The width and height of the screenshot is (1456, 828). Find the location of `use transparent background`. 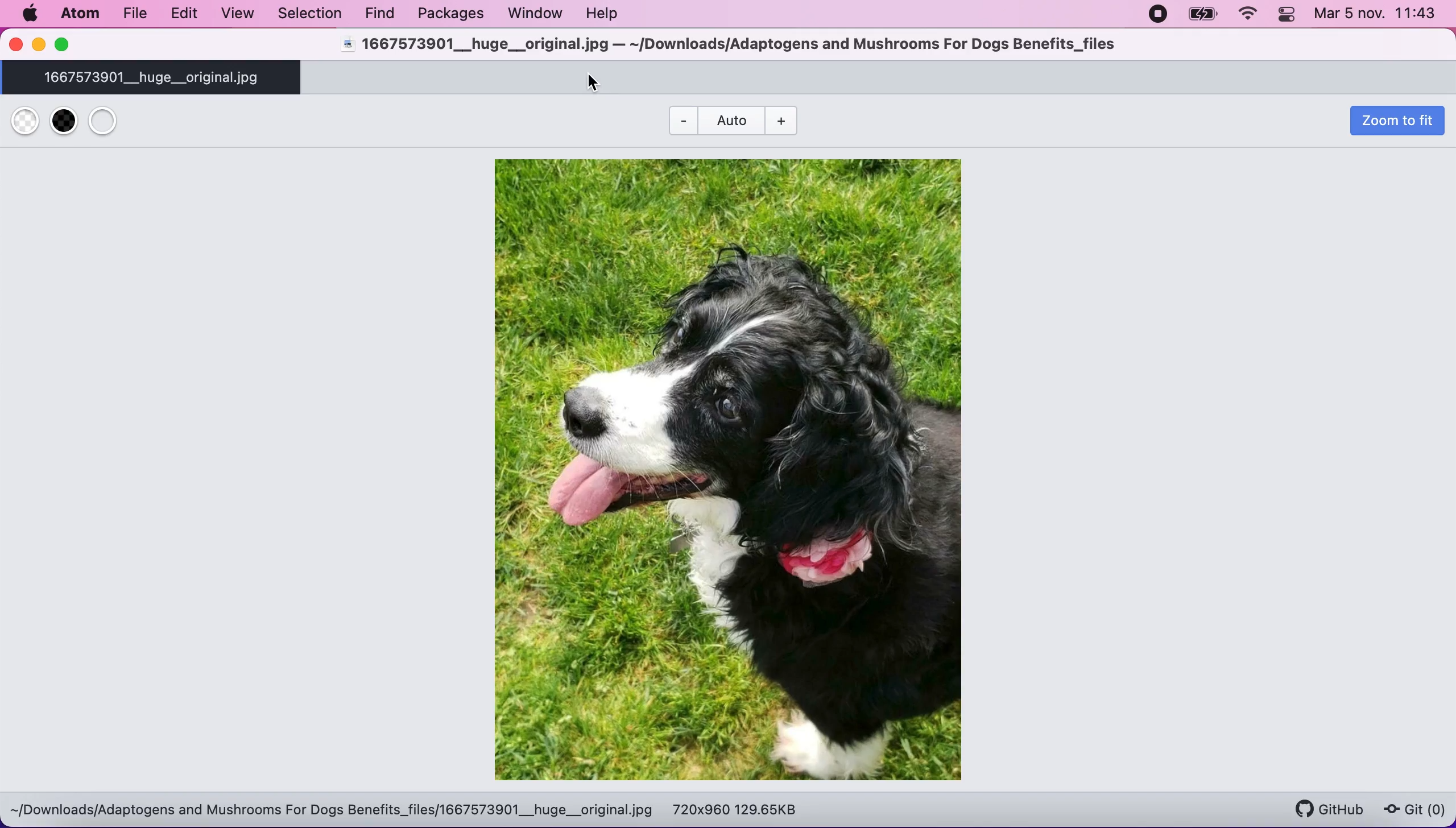

use transparent background is located at coordinates (118, 122).